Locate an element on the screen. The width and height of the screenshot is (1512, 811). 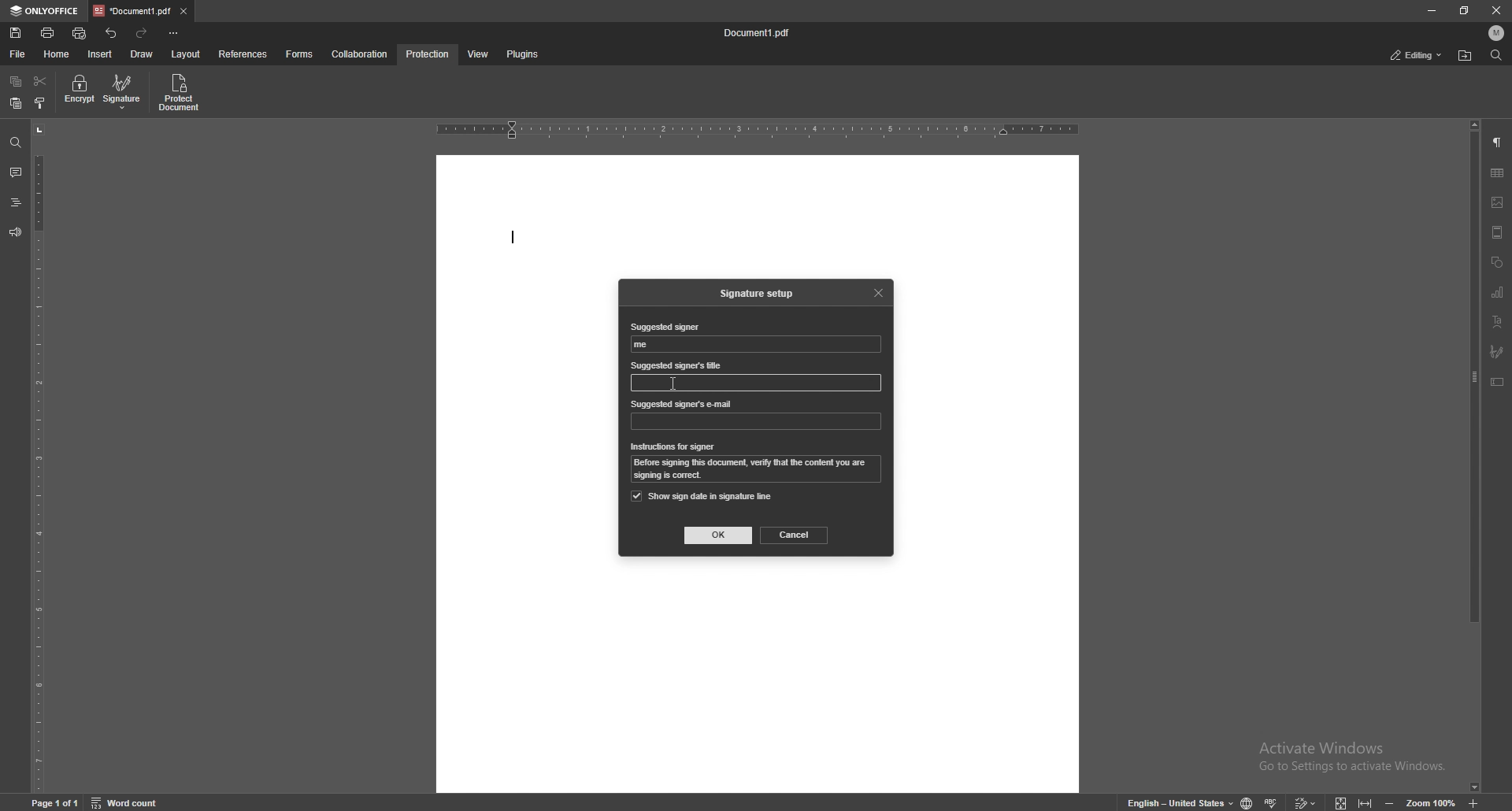
instrauctions for signer is located at coordinates (673, 447).